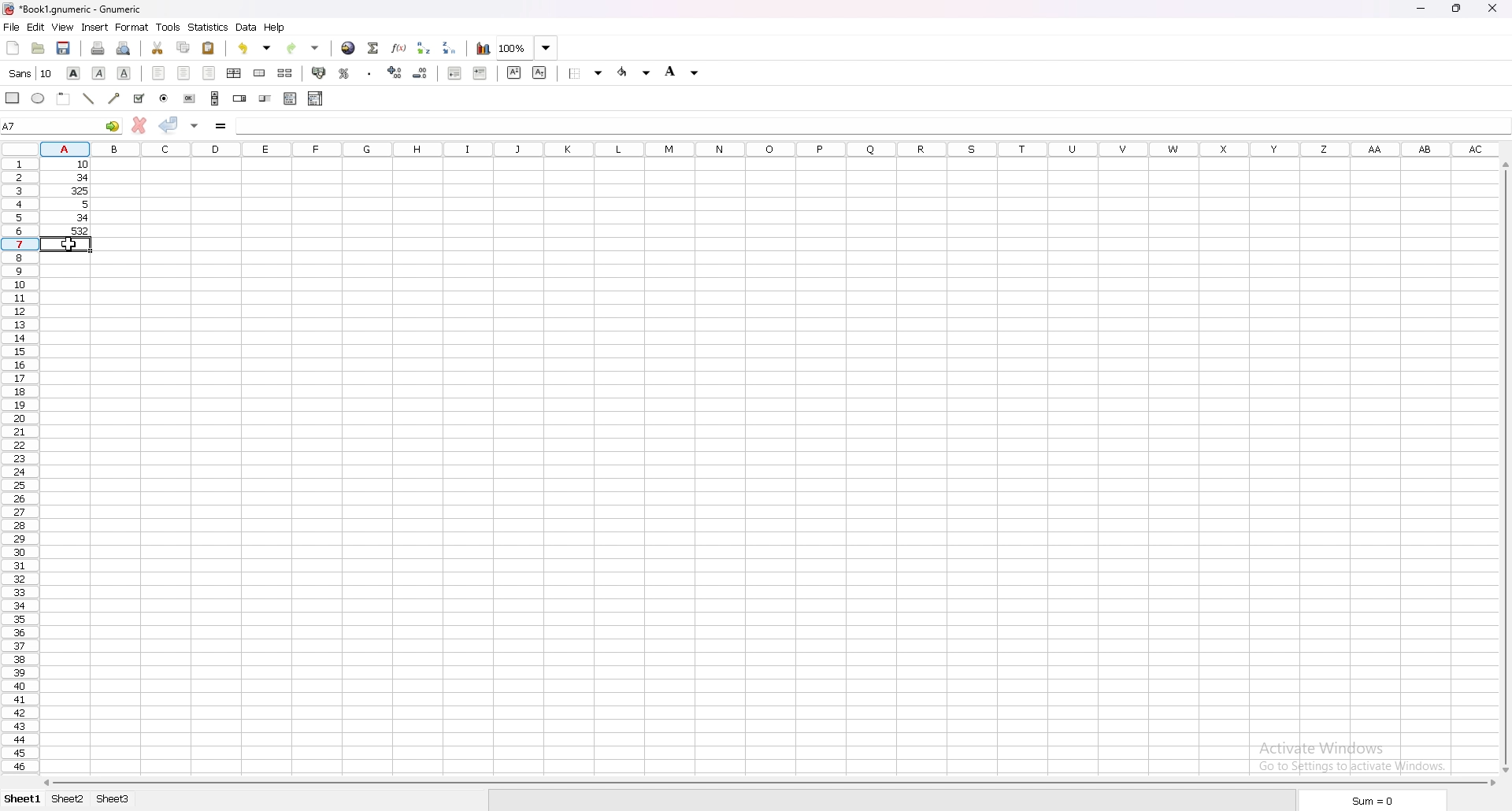 The width and height of the screenshot is (1512, 811). Describe the element at coordinates (71, 165) in the screenshot. I see `10` at that location.